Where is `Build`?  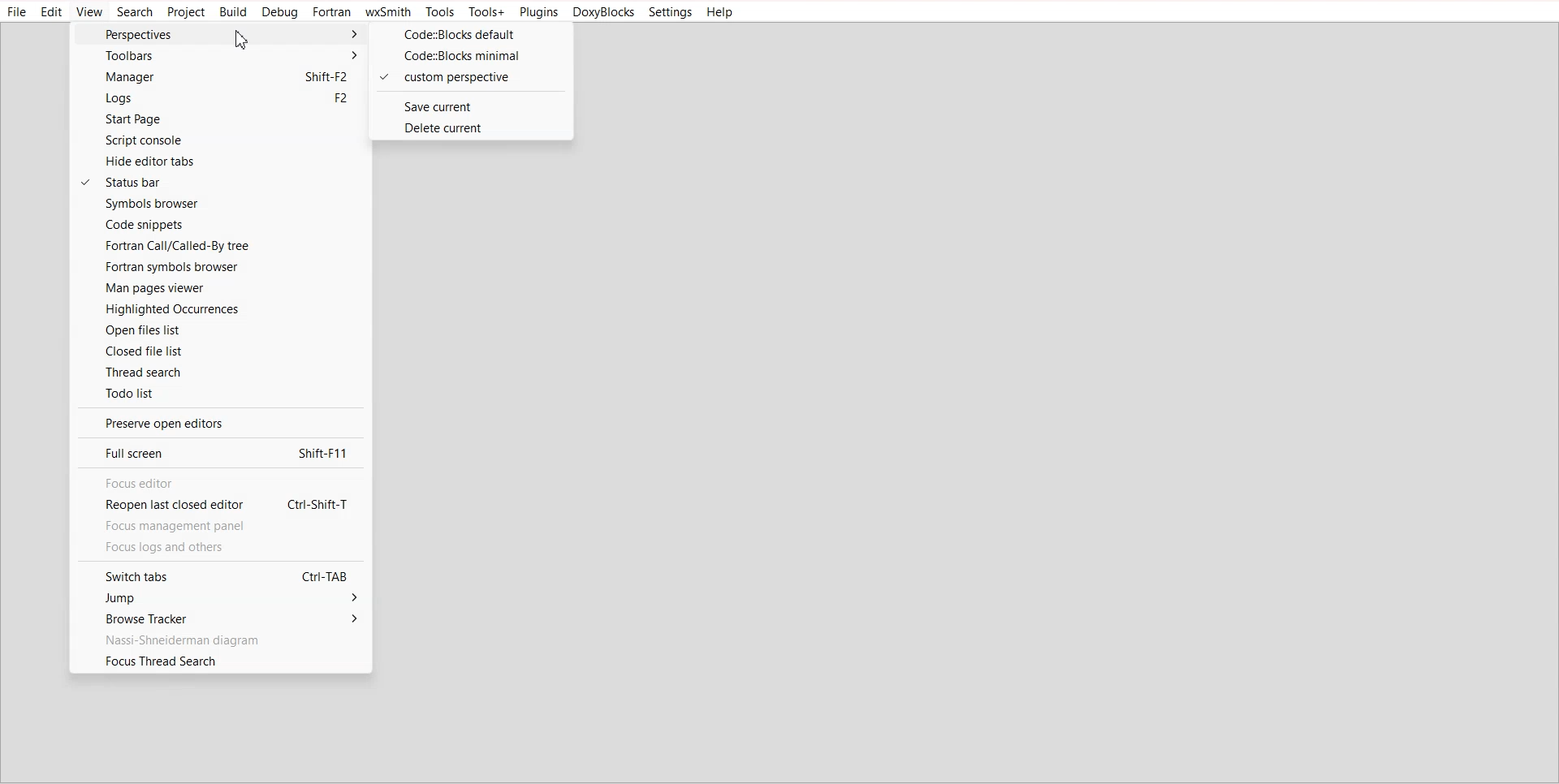 Build is located at coordinates (234, 12).